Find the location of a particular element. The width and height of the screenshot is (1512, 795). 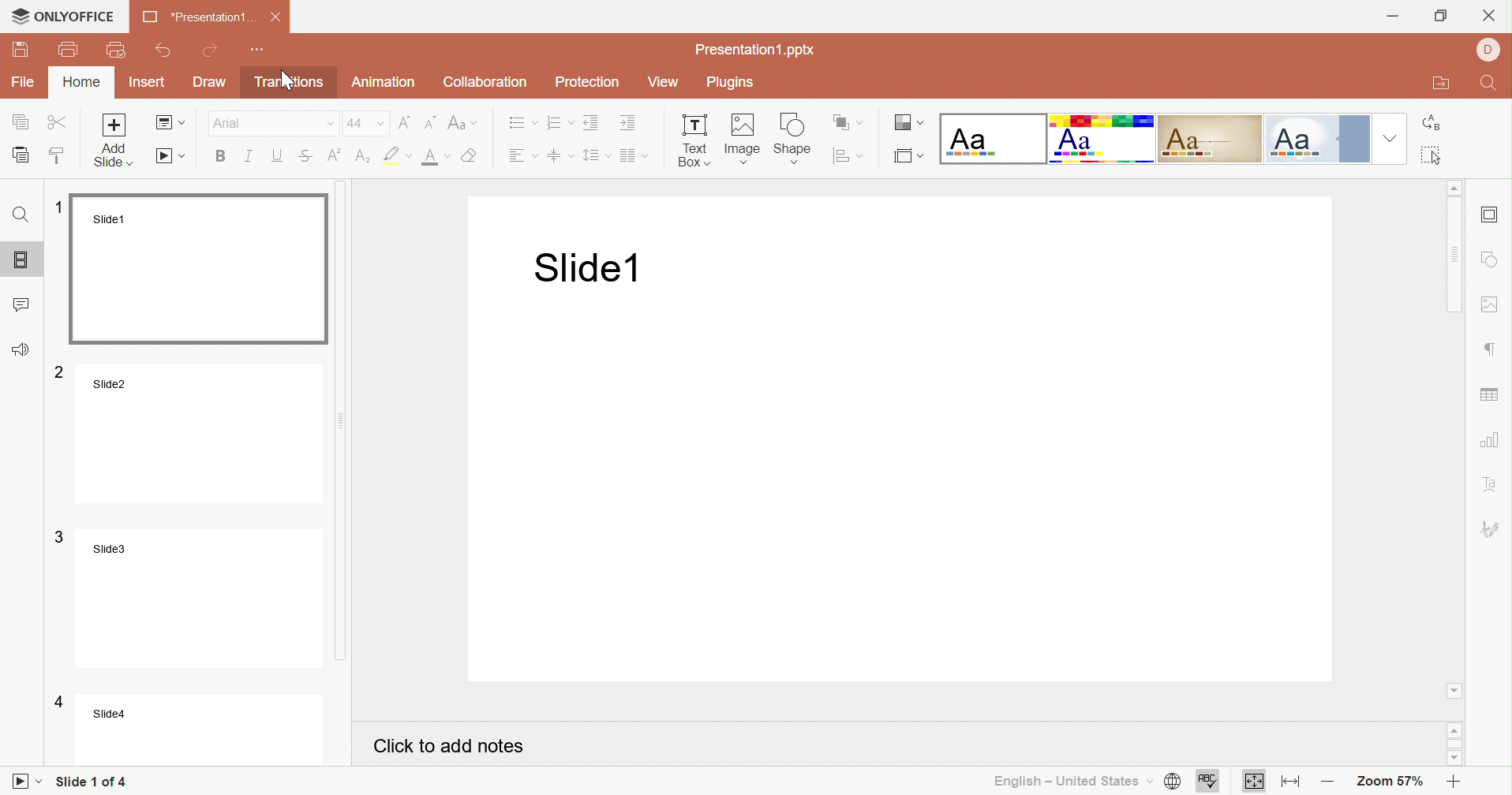

Open file location is located at coordinates (1441, 84).